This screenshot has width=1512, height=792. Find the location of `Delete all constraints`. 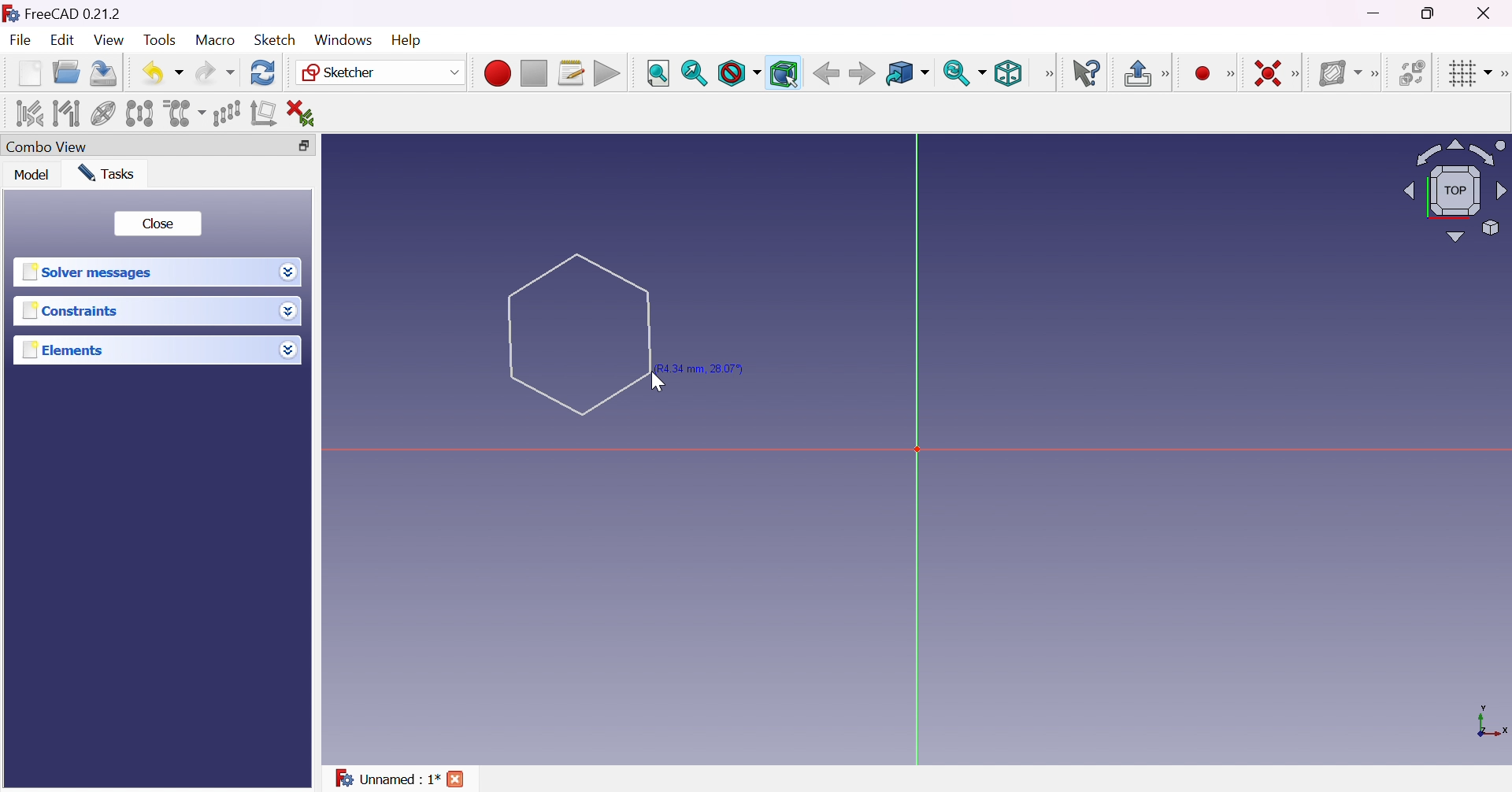

Delete all constraints is located at coordinates (306, 114).